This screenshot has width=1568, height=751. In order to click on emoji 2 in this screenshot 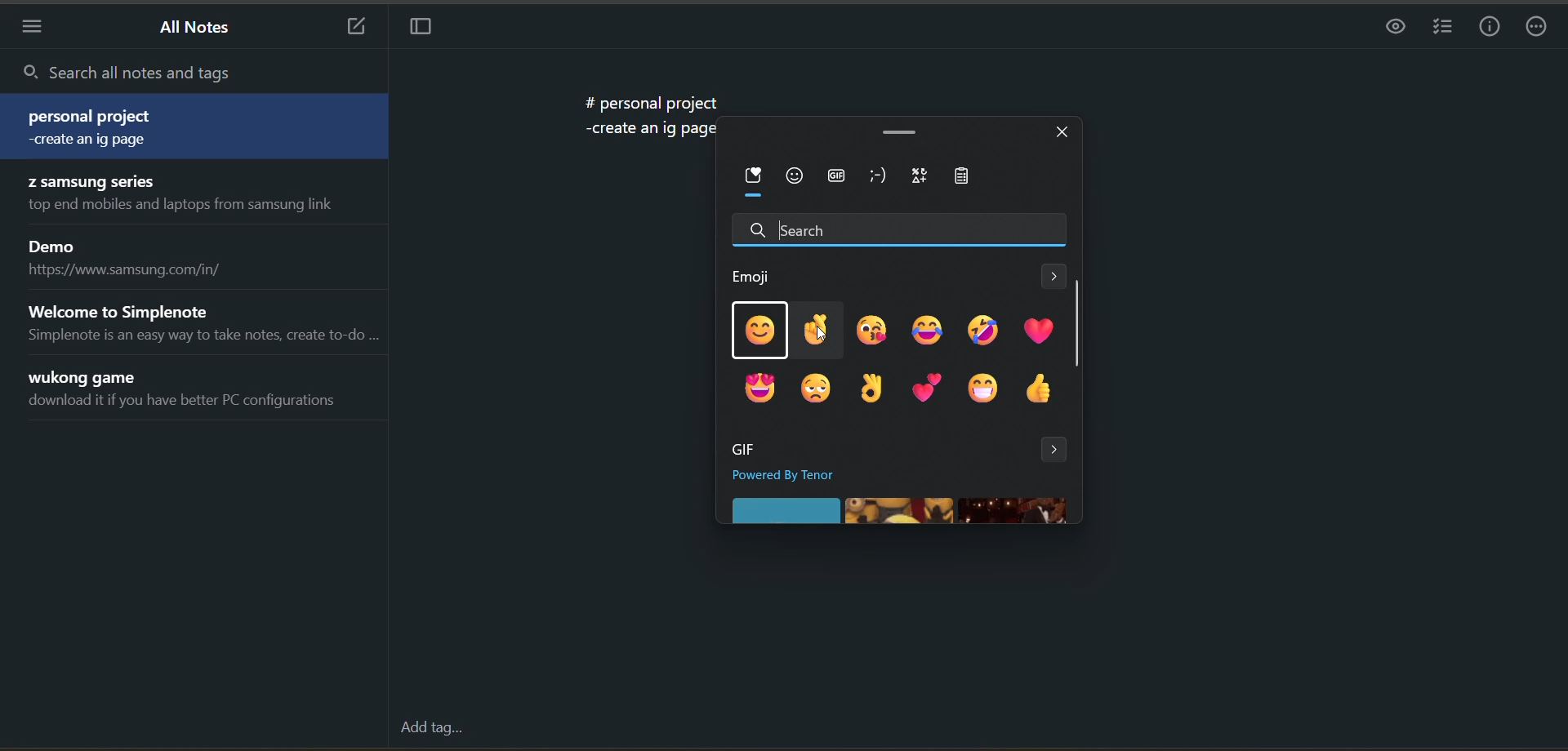, I will do `click(813, 327)`.